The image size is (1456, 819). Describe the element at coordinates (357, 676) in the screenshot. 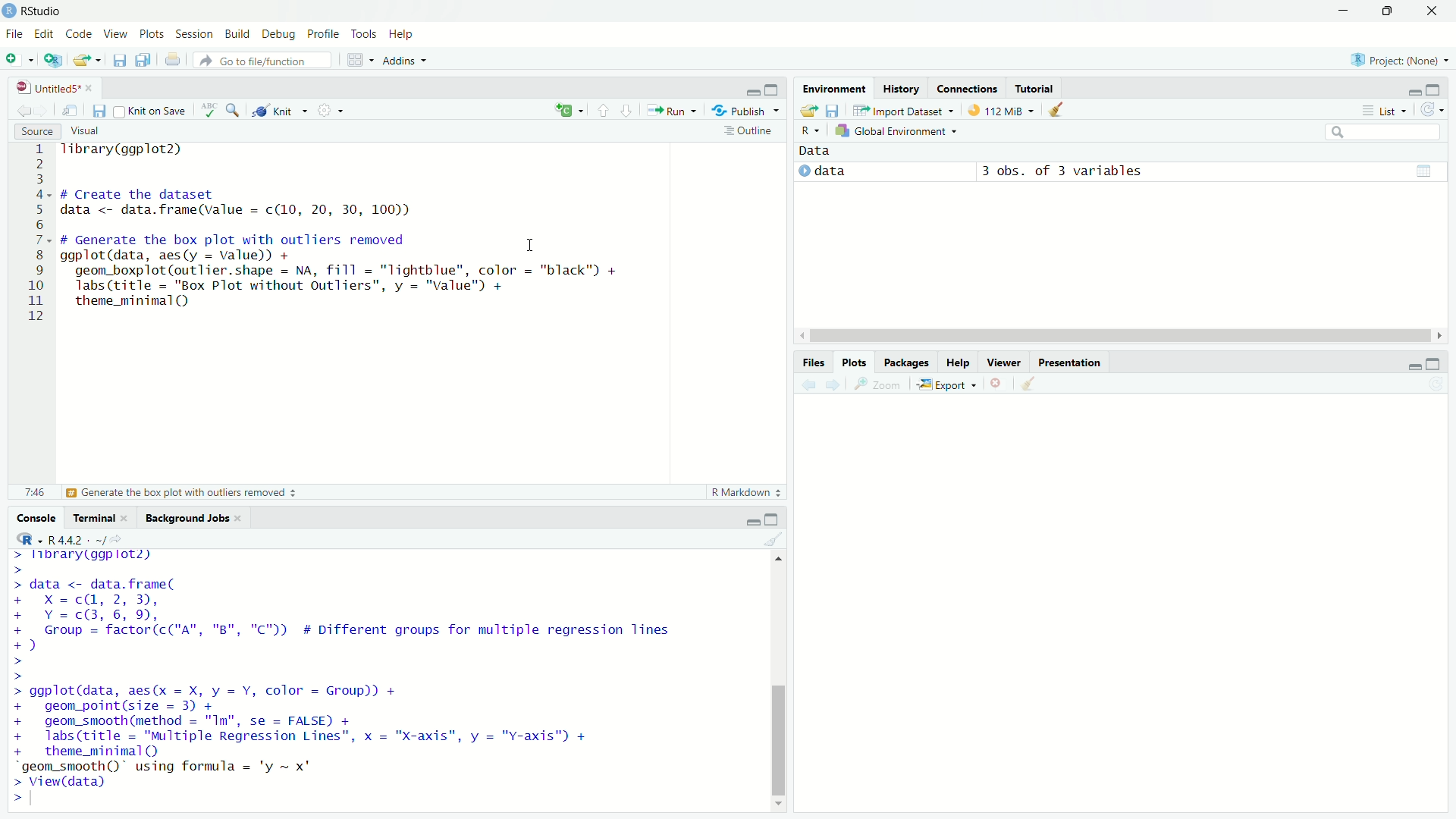

I see `> library(ggplot2)

>

> data <- data. frame(

+ x=cQ, 2,3),

+ Y=c@B,6,9,

+ Group = factor(c("A", "B", "C")) # Different groups for multiple regression lines
+)

>

>

> ggplot(data, aes(x = X, y = Y, color = Group)) +

+ geom_point(size = 3) +

+  geom_smooth(method = "Im", se = FALSE) +

+ labs(title = "Multiple Regression Lines", x = "X-axis", y = "v-axis") +
+  theme_minimal()

“geom_smooth()~ using formula = 'y ~ x'

> View(data)

S` at that location.